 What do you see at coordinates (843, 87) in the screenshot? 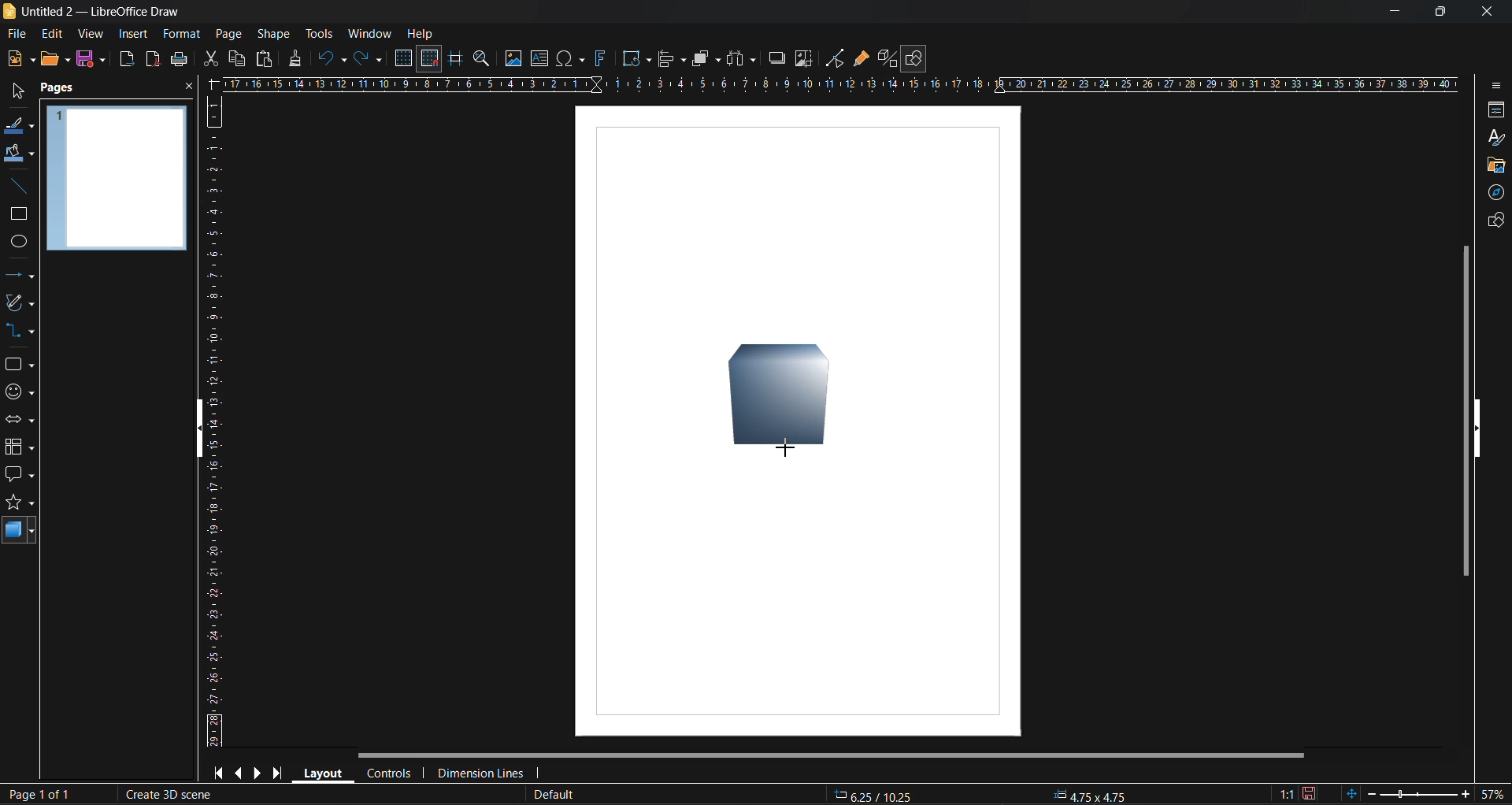
I see `horizontal ruler` at bounding box center [843, 87].